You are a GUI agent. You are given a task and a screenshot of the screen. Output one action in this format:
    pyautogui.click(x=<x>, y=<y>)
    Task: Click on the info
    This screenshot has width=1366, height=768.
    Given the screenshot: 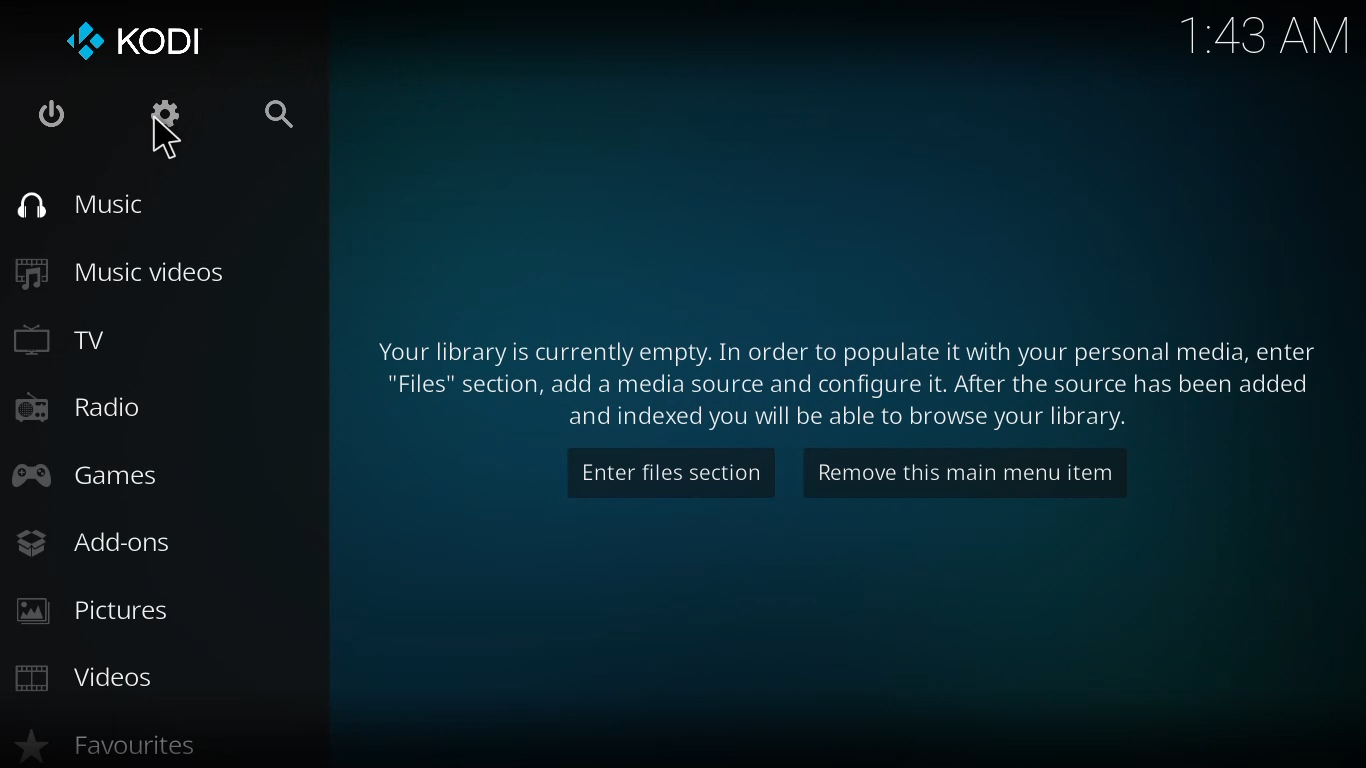 What is the action you would take?
    pyautogui.click(x=849, y=383)
    